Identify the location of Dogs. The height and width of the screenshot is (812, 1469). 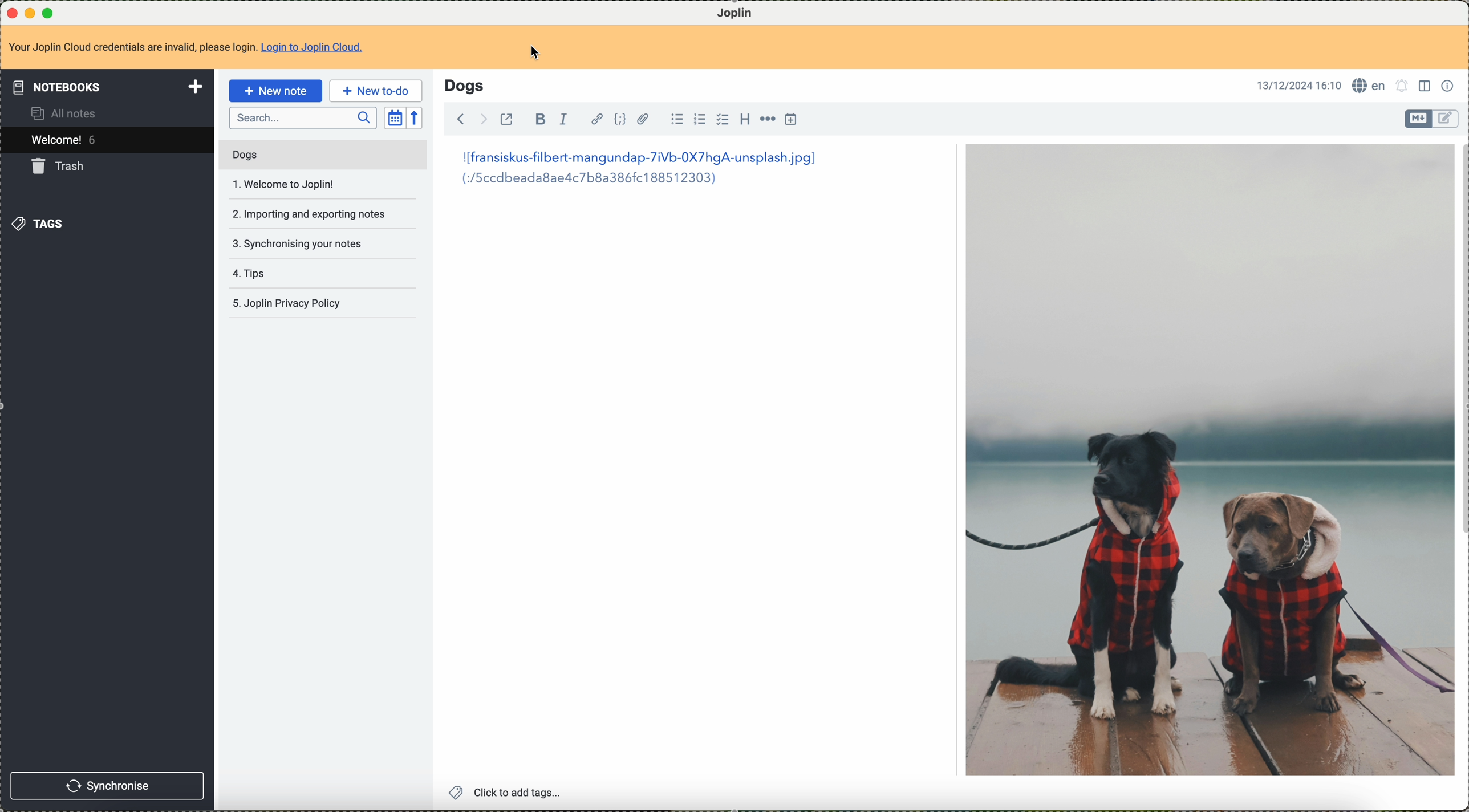
(281, 153).